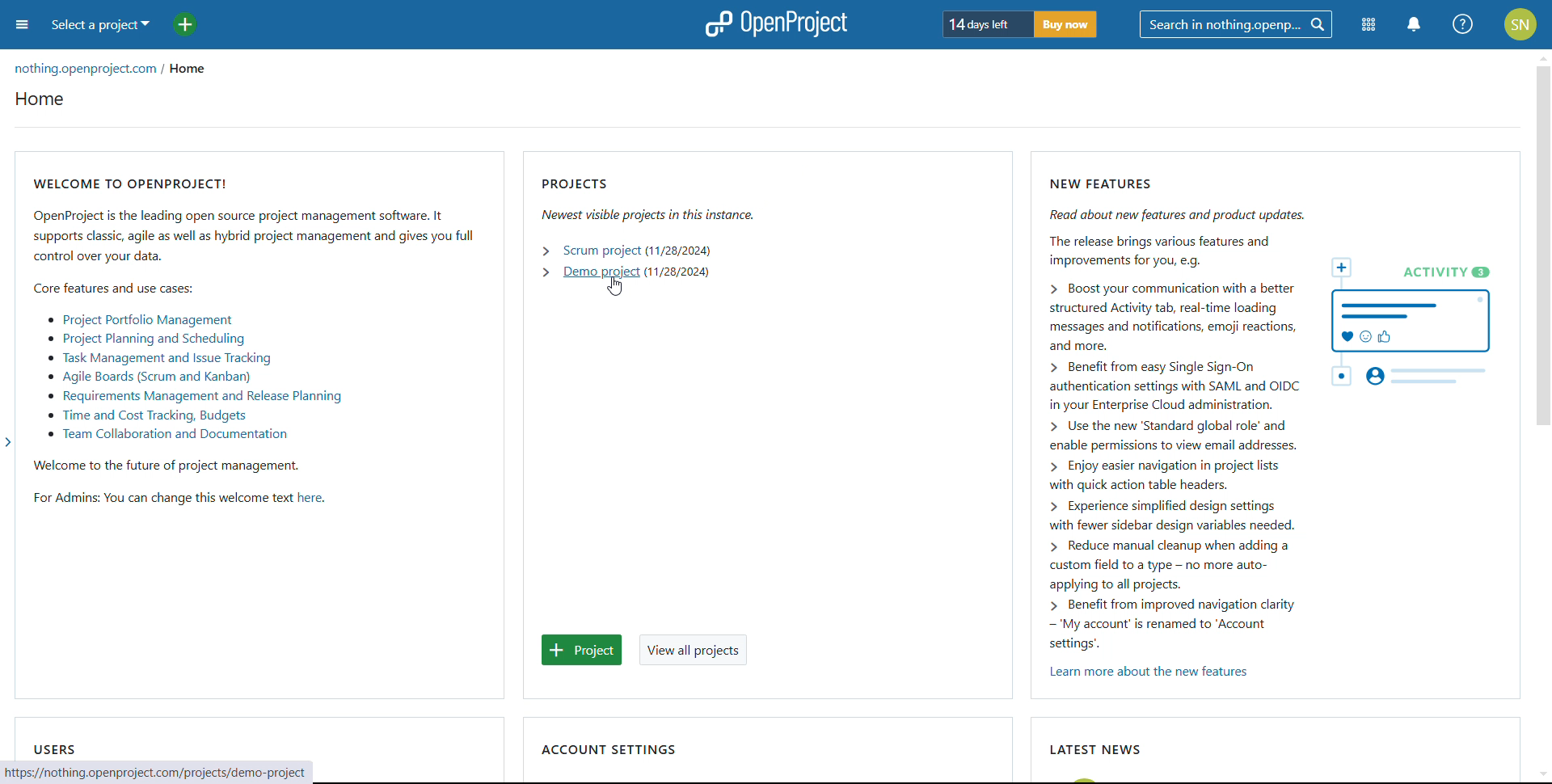  I want to click on account, so click(1521, 24).